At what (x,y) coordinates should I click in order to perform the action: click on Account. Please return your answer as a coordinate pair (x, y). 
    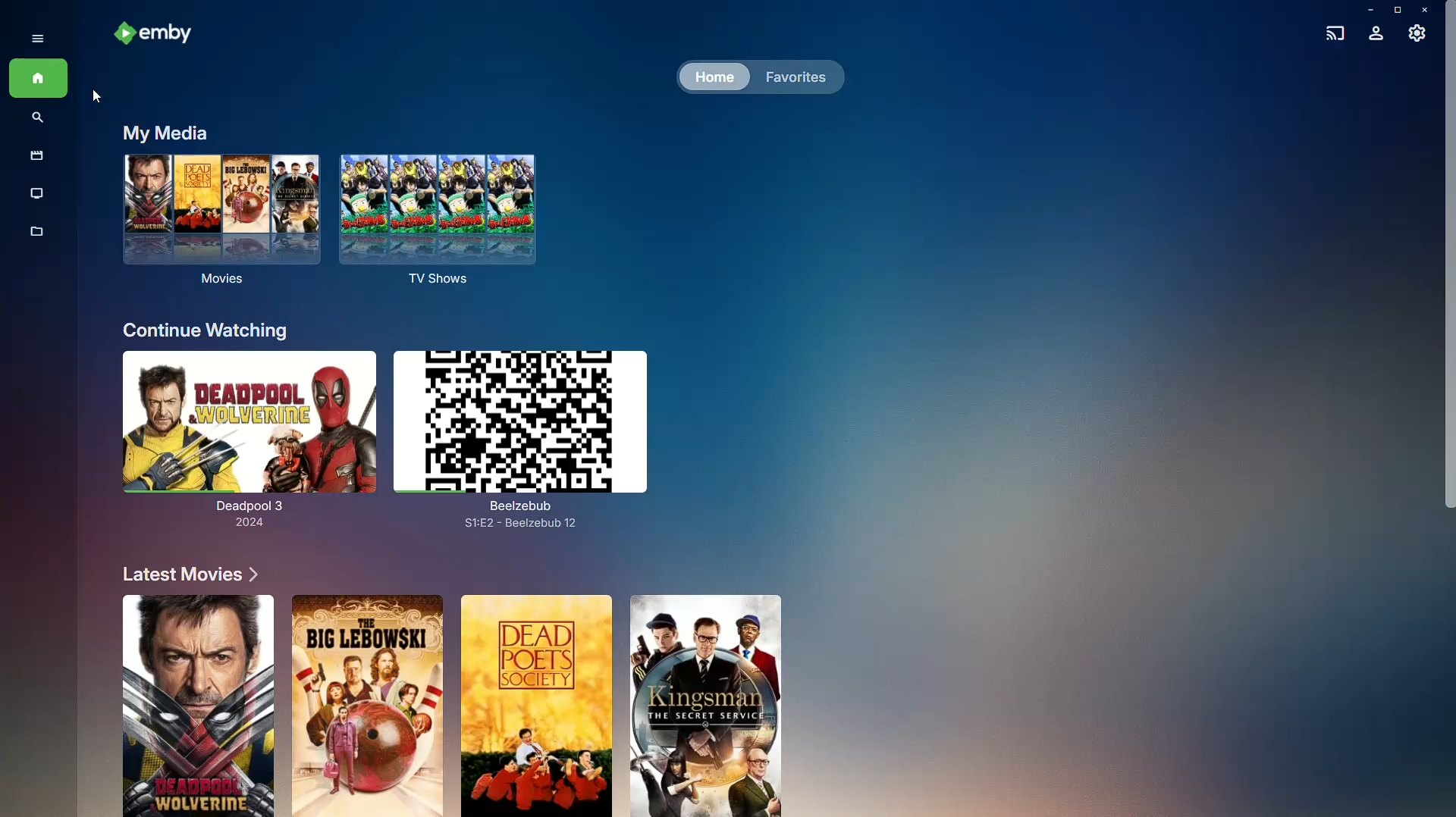
    Looking at the image, I should click on (1376, 35).